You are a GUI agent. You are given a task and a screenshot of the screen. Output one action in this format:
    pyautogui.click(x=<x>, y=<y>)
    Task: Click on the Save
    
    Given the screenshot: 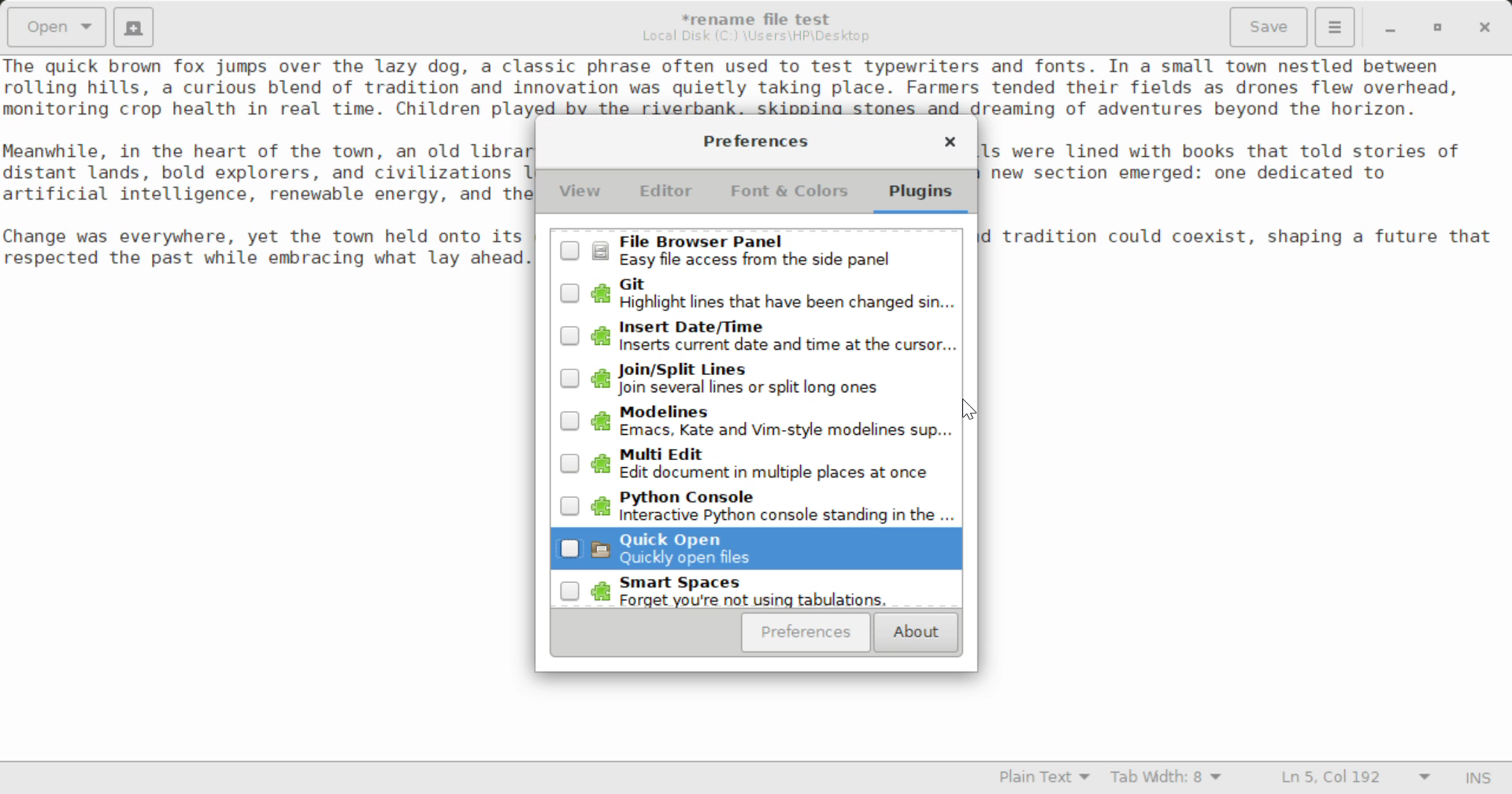 What is the action you would take?
    pyautogui.click(x=1270, y=28)
    